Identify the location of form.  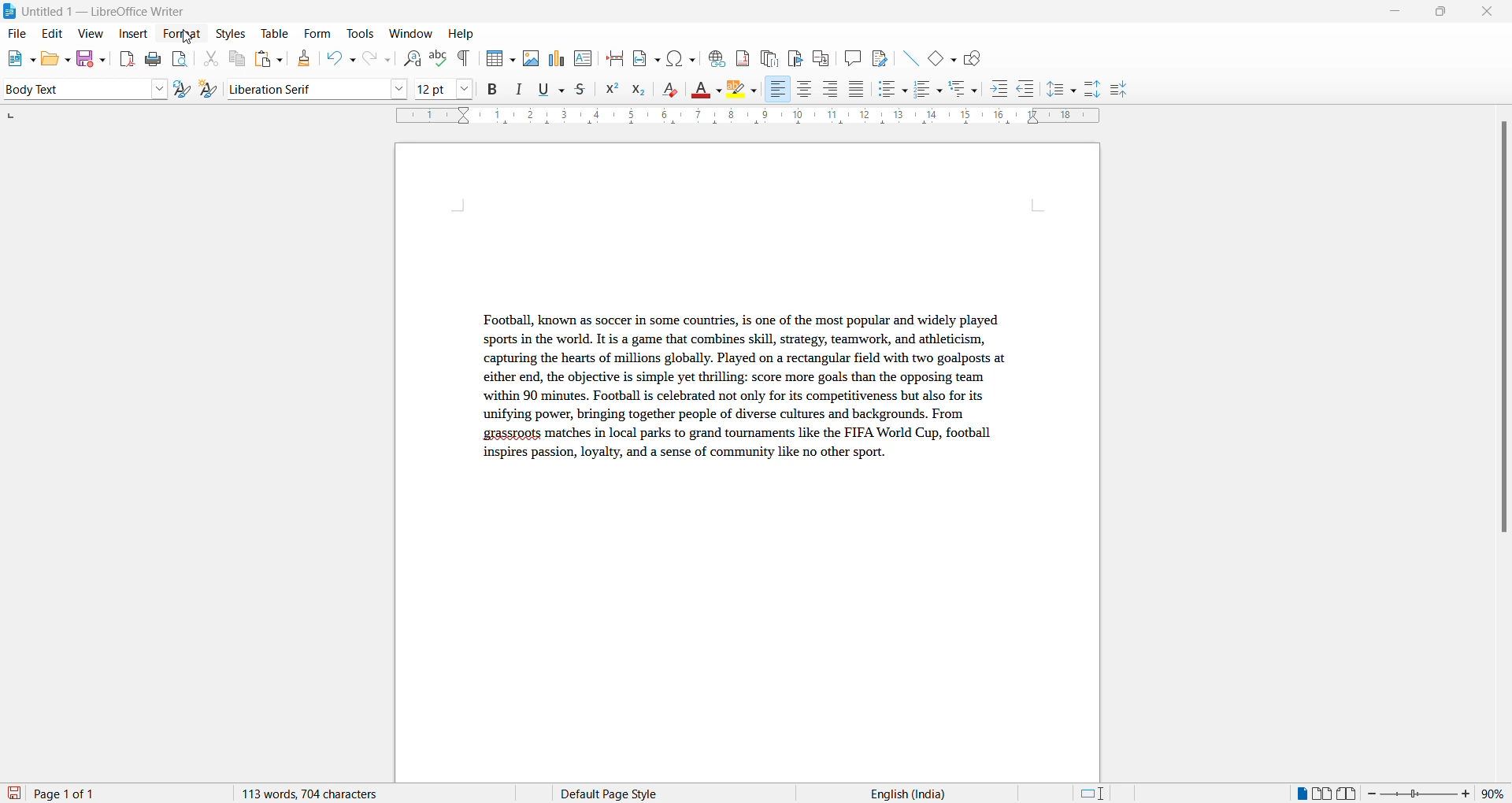
(317, 33).